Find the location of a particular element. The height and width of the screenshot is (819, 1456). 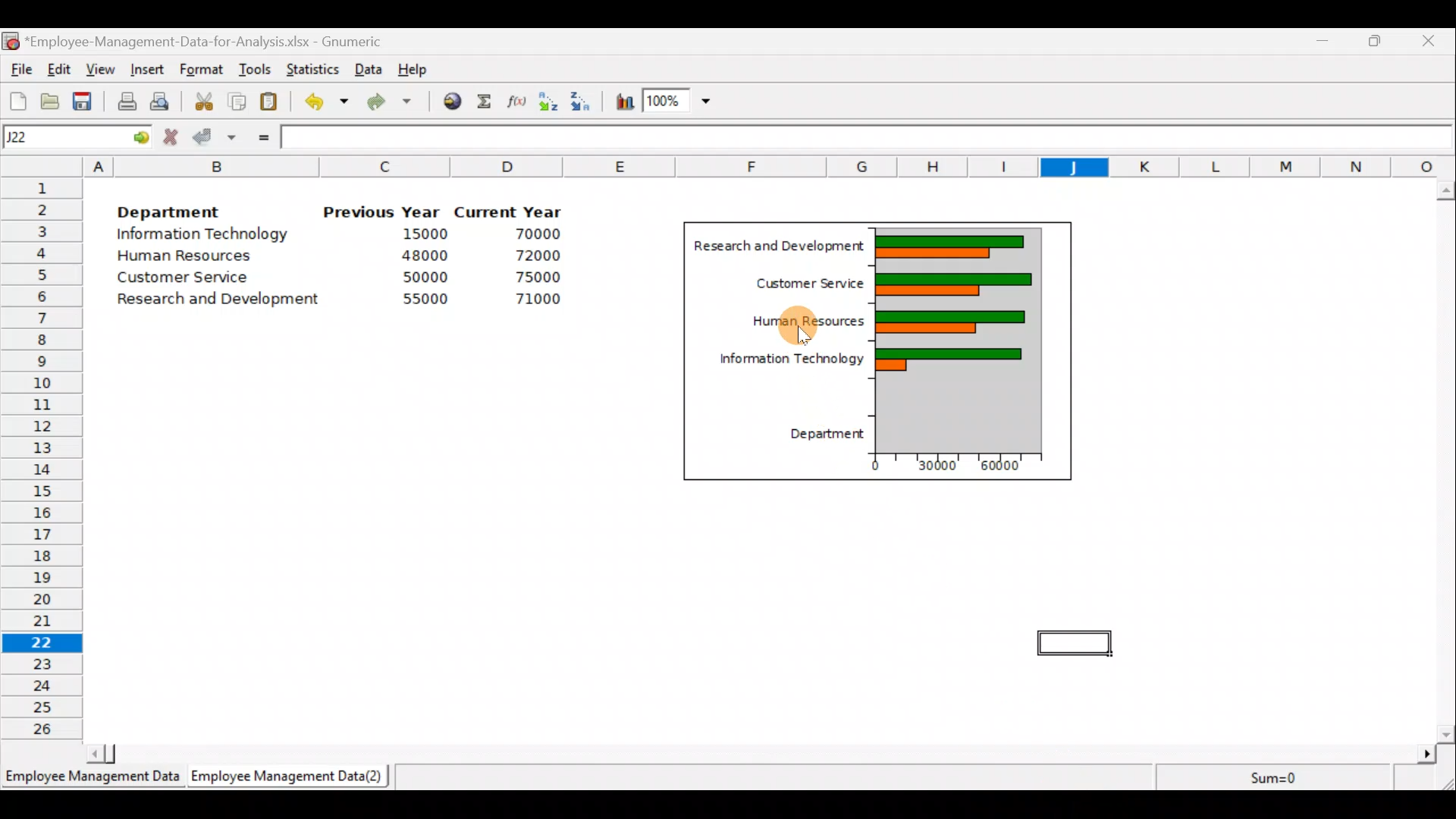

Accept change is located at coordinates (214, 135).